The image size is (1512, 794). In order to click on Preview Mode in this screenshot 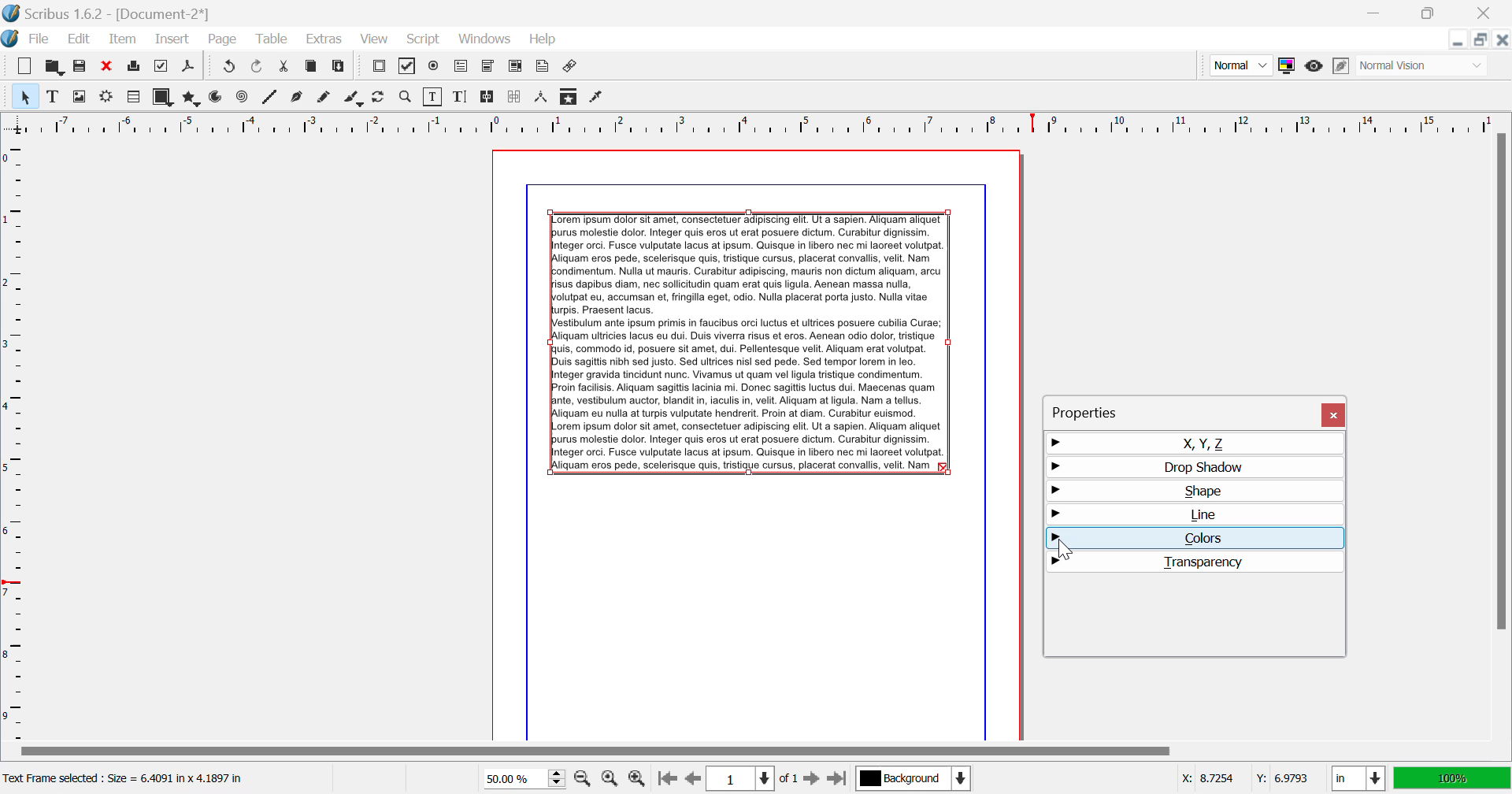, I will do `click(1240, 65)`.